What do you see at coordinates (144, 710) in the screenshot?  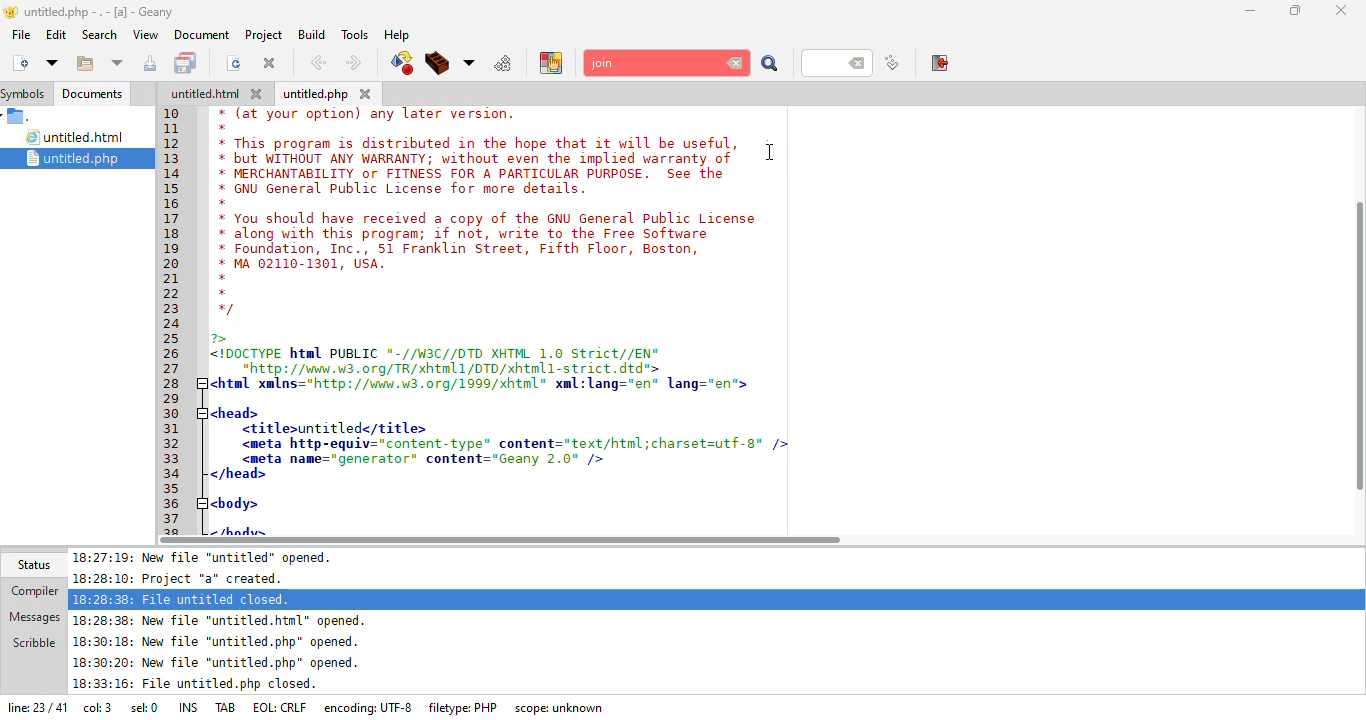 I see `sel:0` at bounding box center [144, 710].